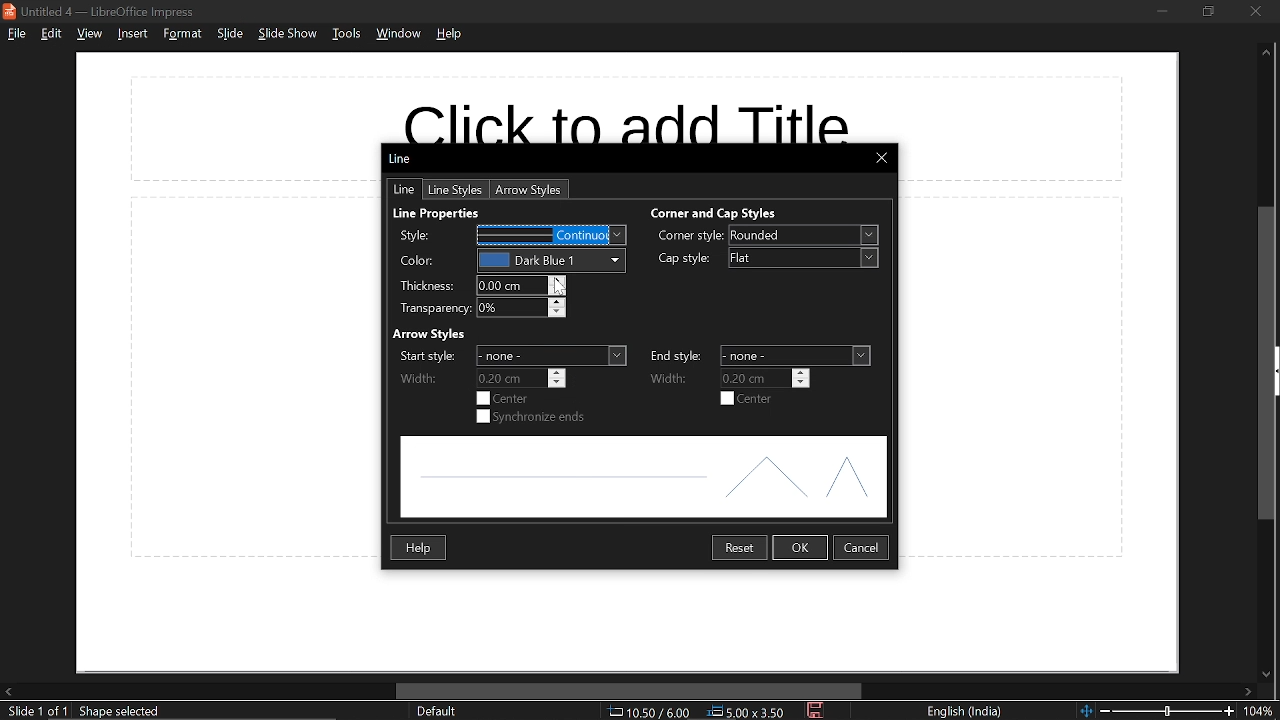 The height and width of the screenshot is (720, 1280). What do you see at coordinates (450, 33) in the screenshot?
I see `help` at bounding box center [450, 33].